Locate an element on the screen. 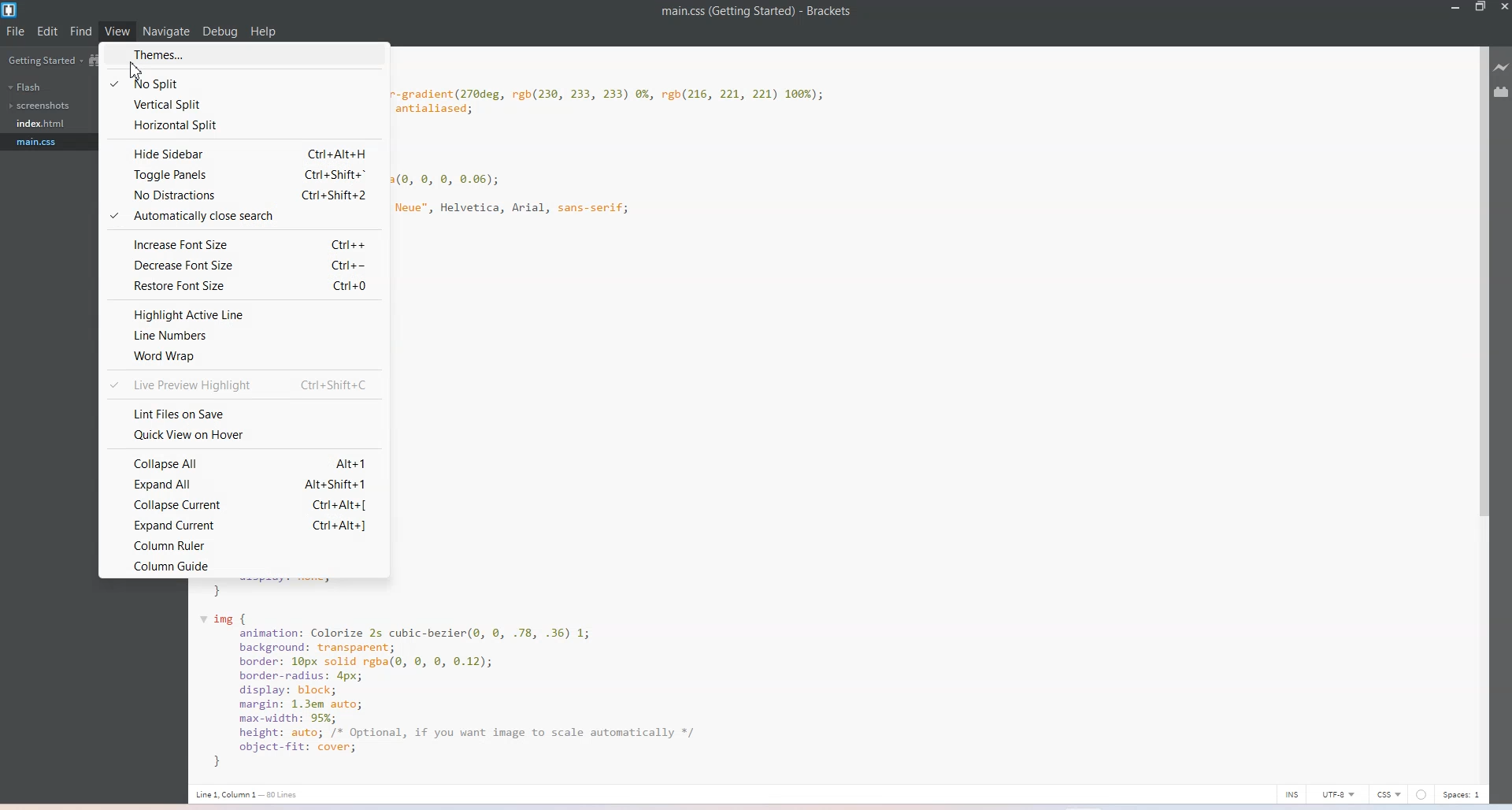  Live Preview is located at coordinates (1503, 68).